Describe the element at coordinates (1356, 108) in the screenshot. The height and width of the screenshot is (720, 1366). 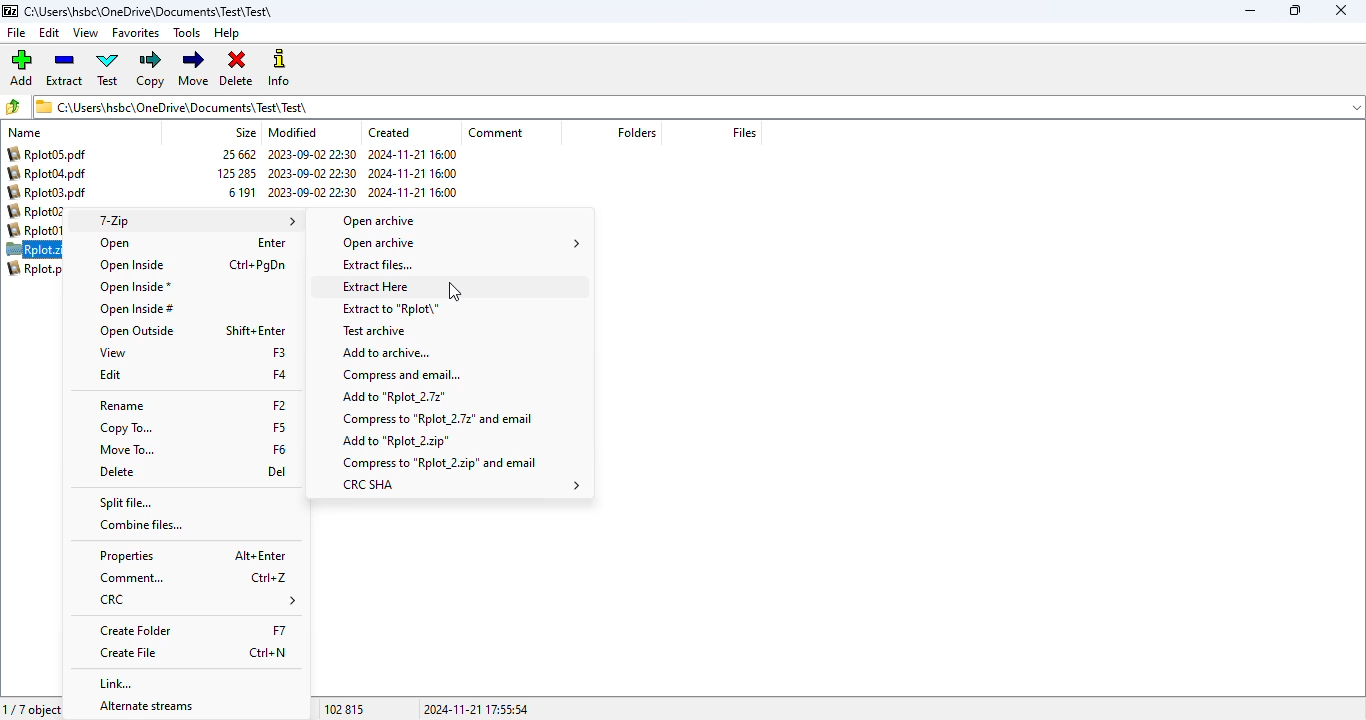
I see `collapse` at that location.